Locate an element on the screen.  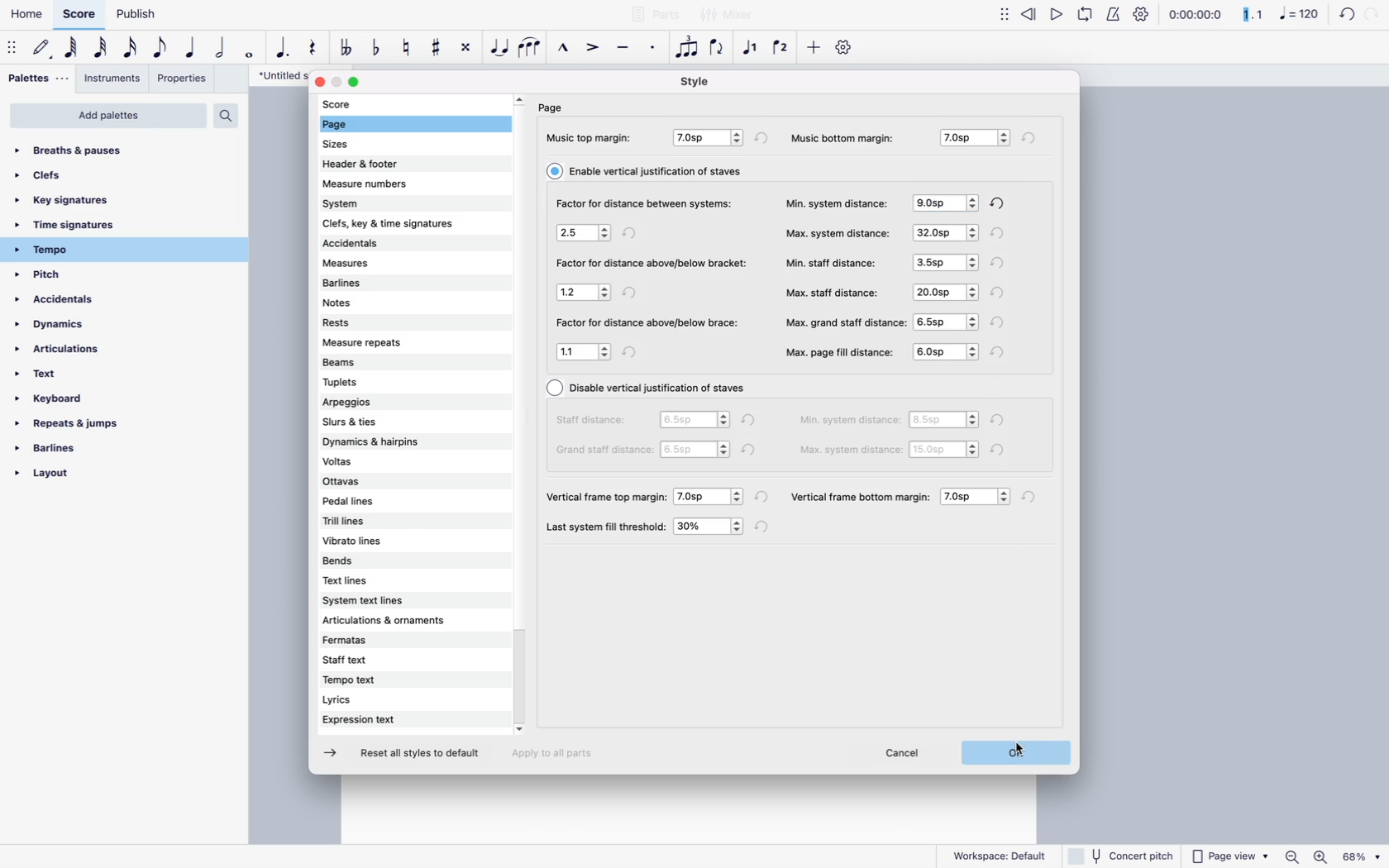
tenuto is located at coordinates (626, 48).